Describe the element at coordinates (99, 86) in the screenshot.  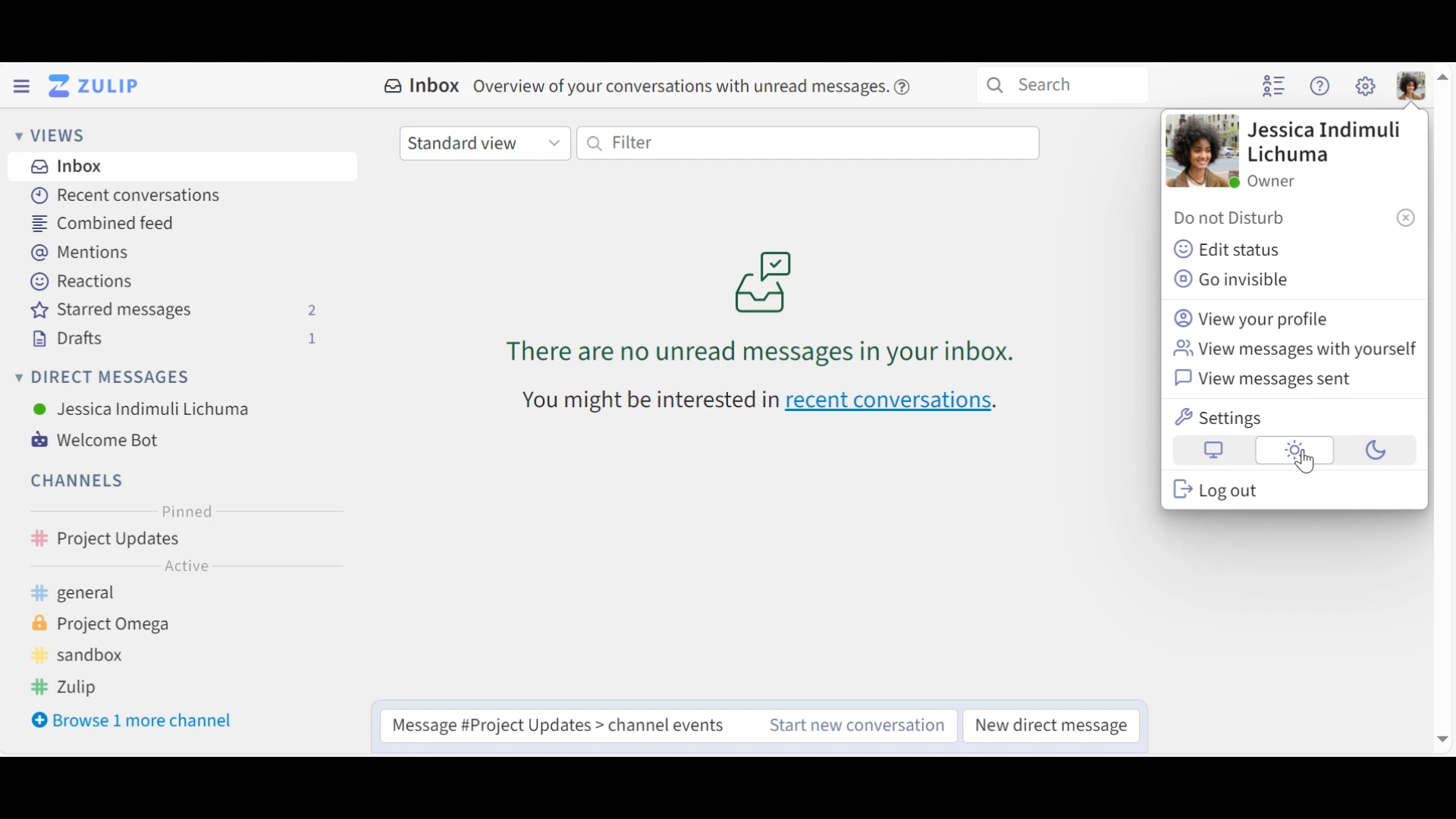
I see `Go to Home View (Inbox)` at that location.